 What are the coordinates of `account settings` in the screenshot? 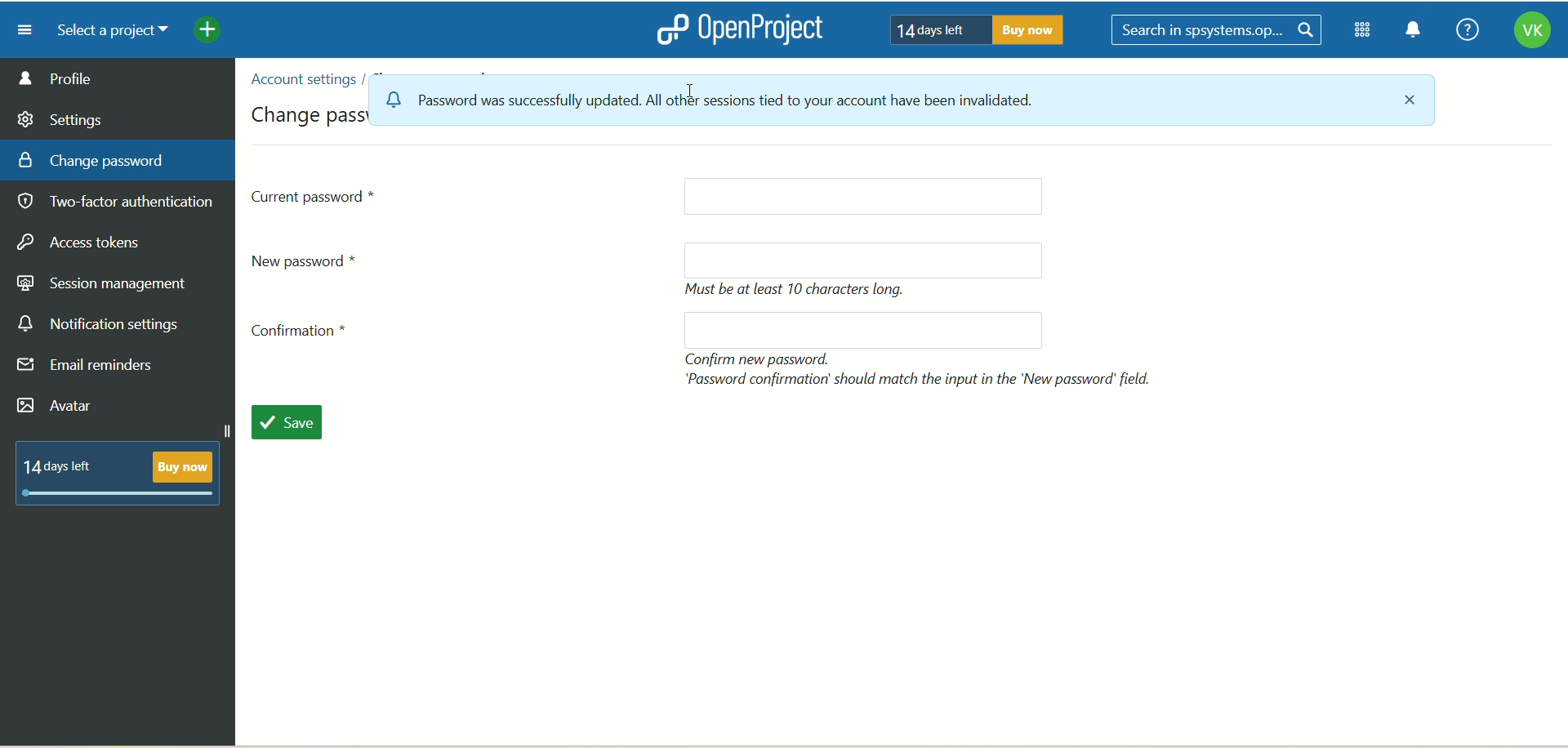 It's located at (301, 79).